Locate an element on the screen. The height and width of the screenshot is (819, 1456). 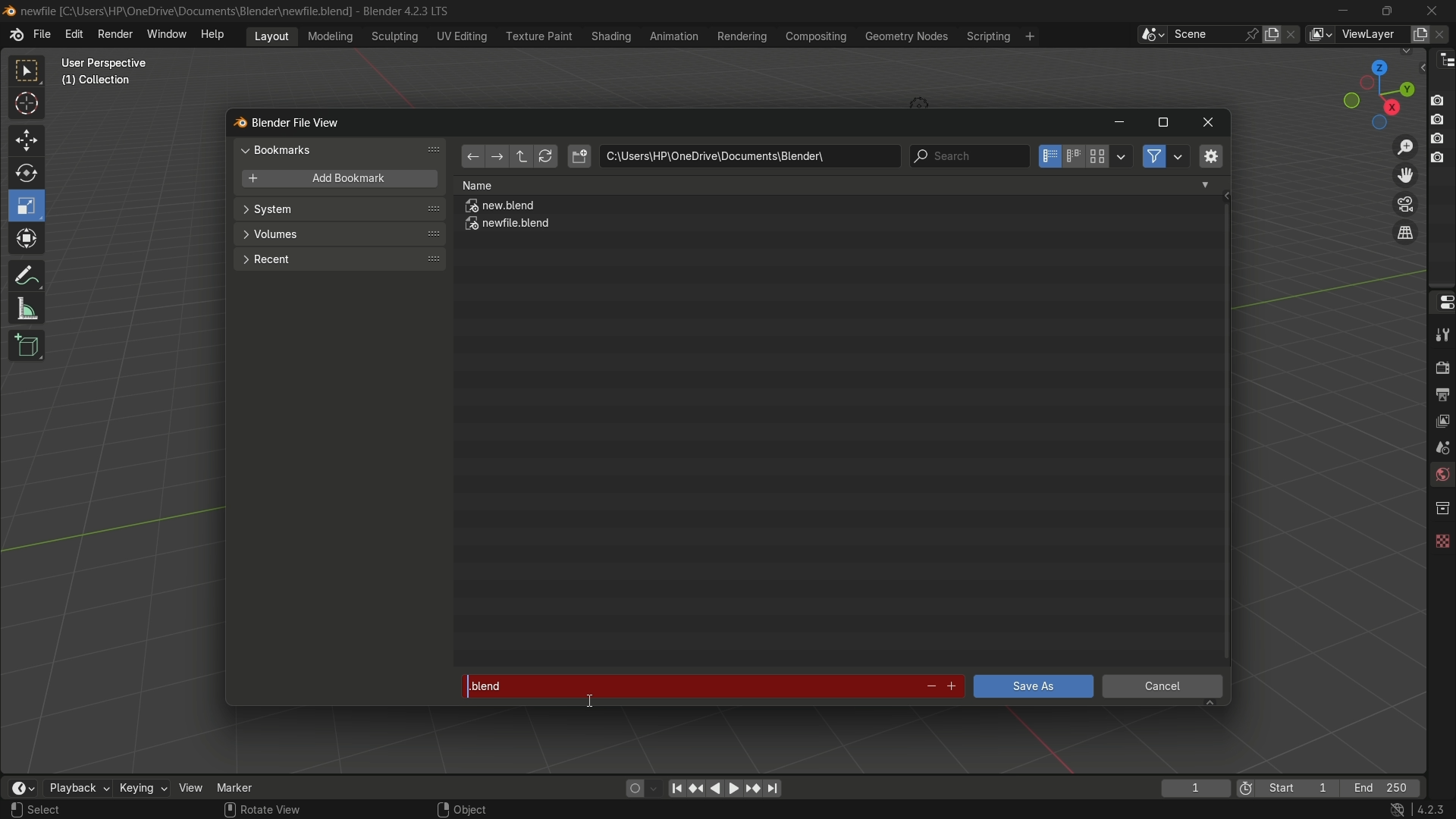
blend logo is located at coordinates (234, 124).